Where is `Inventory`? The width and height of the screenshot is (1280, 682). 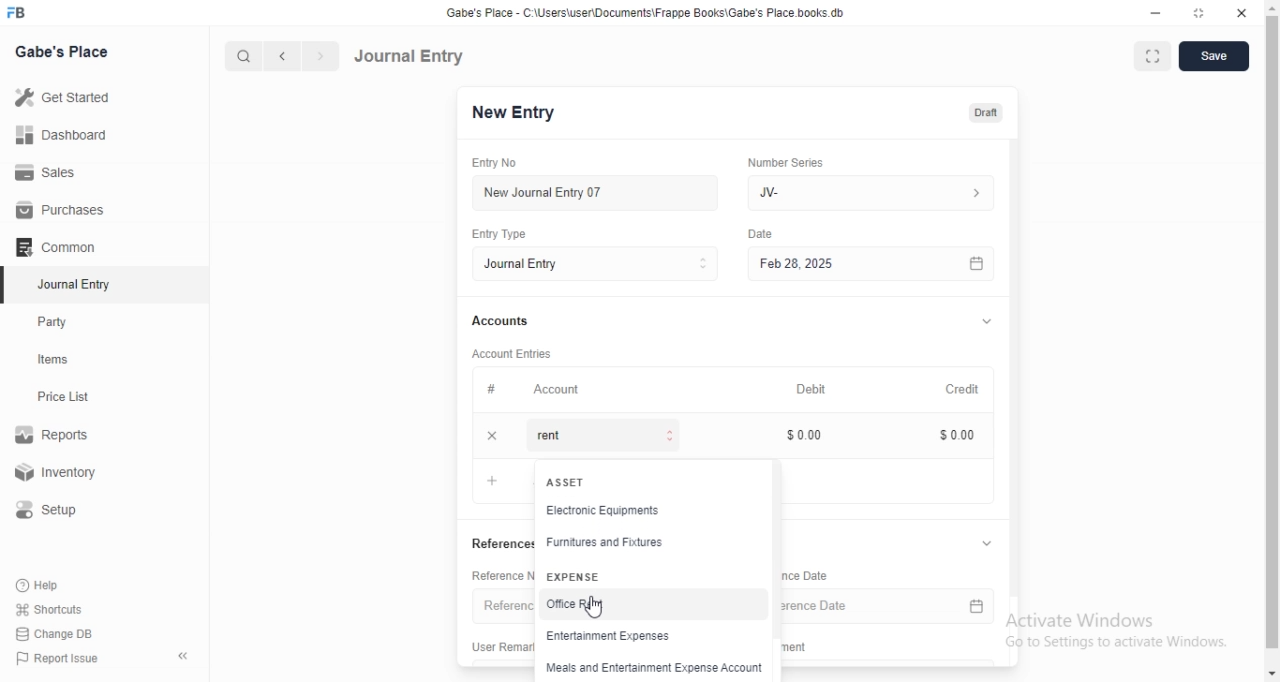 Inventory is located at coordinates (59, 474).